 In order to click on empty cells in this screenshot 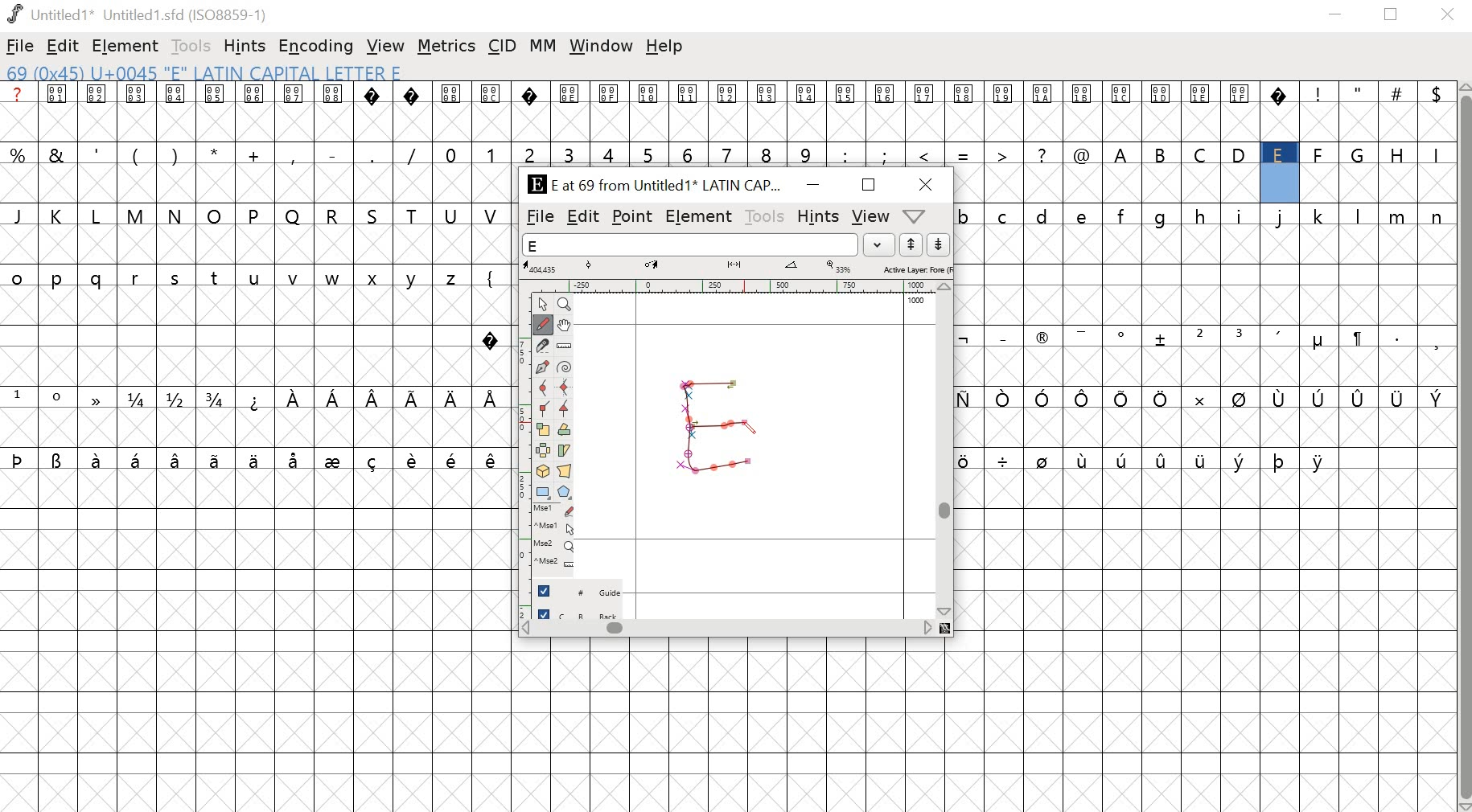, I will do `click(738, 725)`.